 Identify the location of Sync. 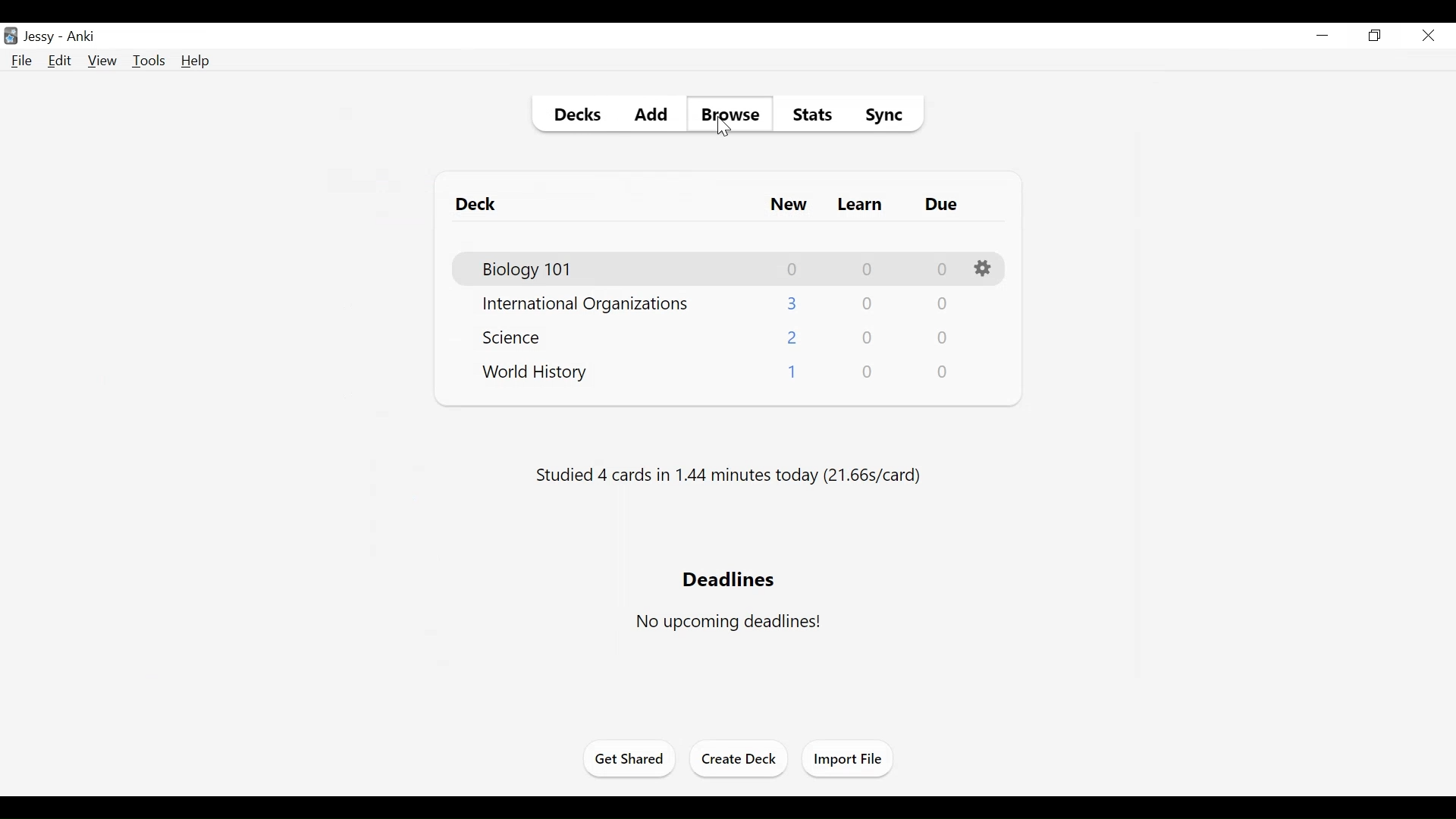
(888, 118).